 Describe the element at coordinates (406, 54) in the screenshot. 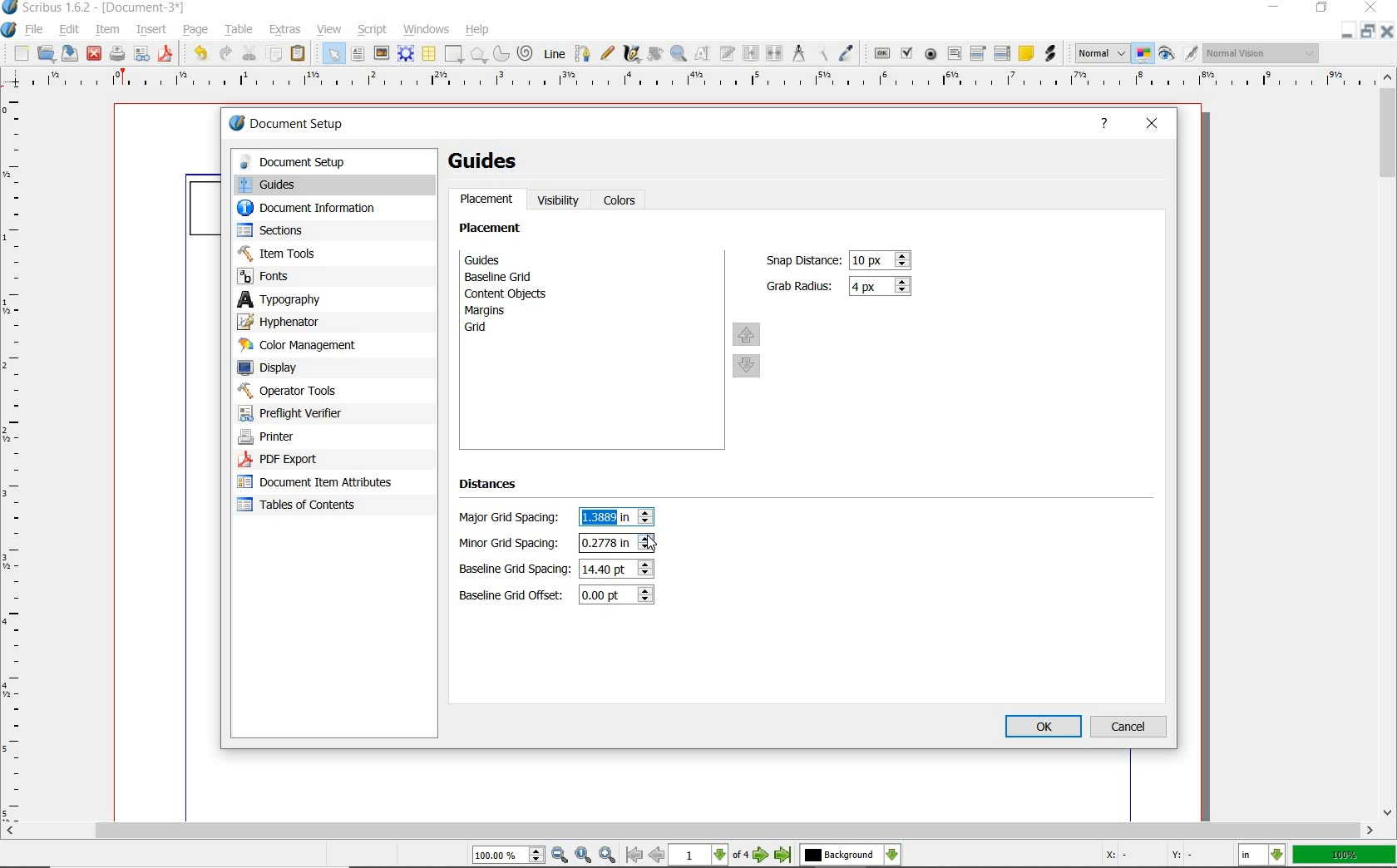

I see `render frame` at that location.